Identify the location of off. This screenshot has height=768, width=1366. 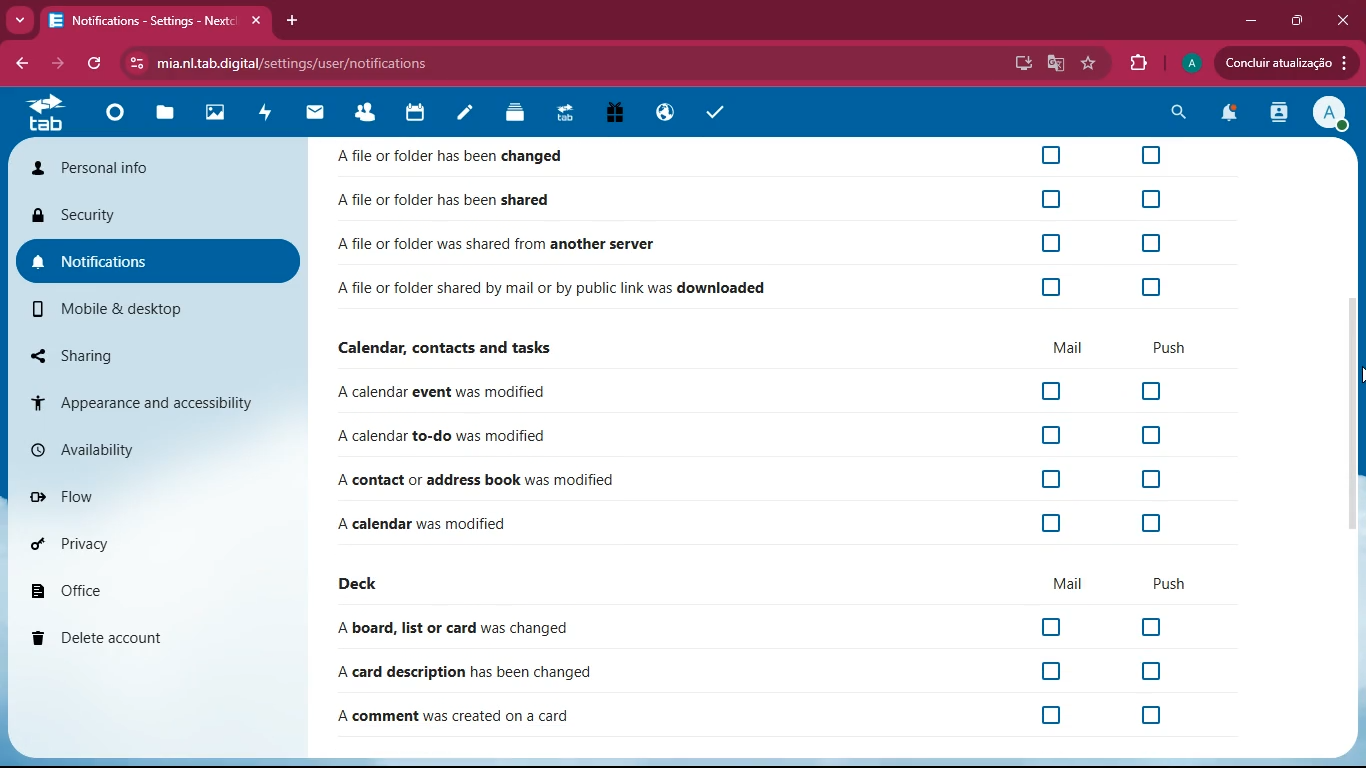
(1150, 523).